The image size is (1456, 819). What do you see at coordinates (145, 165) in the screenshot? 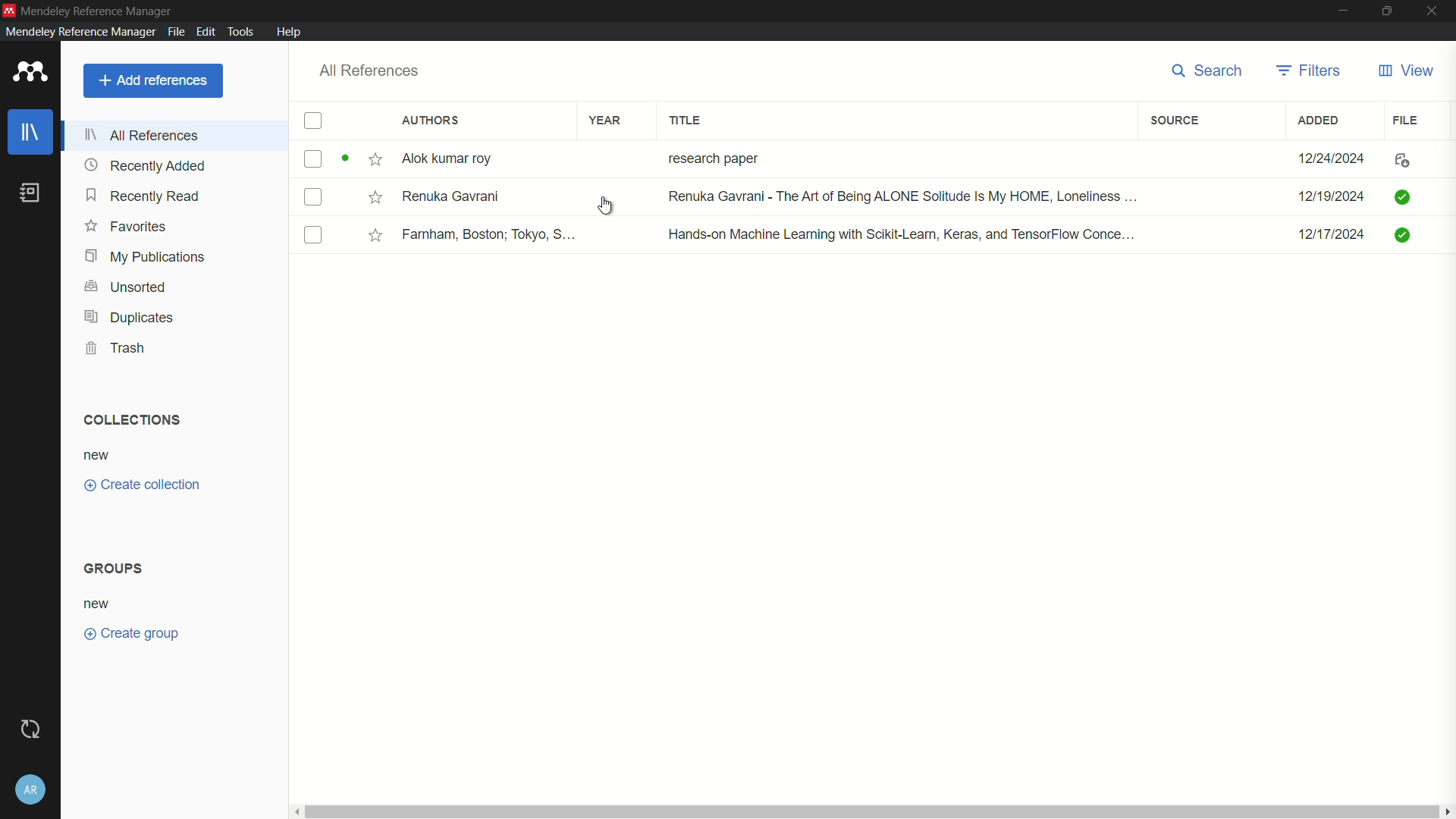
I see `recently added` at bounding box center [145, 165].